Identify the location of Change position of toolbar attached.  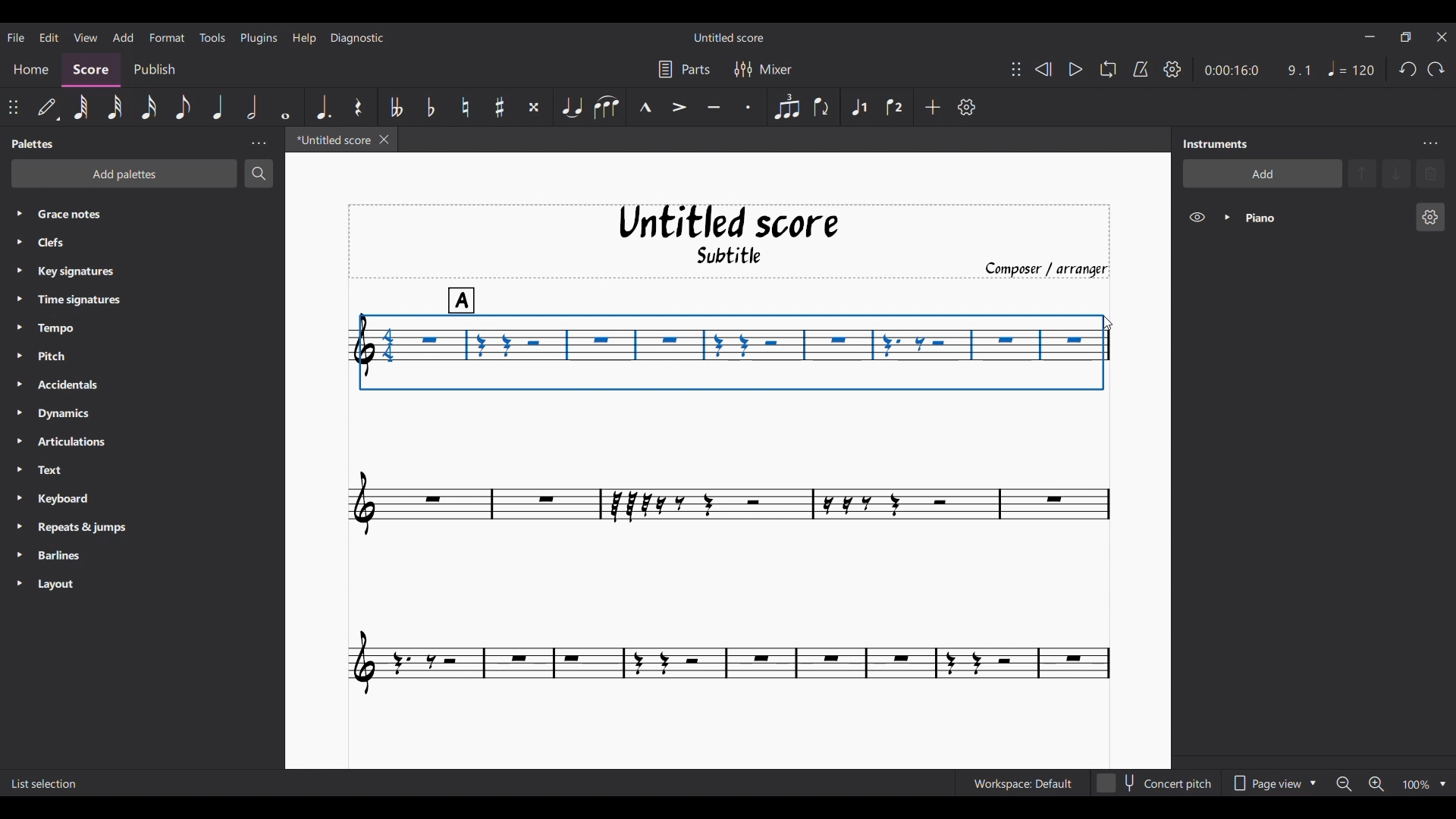
(1016, 69).